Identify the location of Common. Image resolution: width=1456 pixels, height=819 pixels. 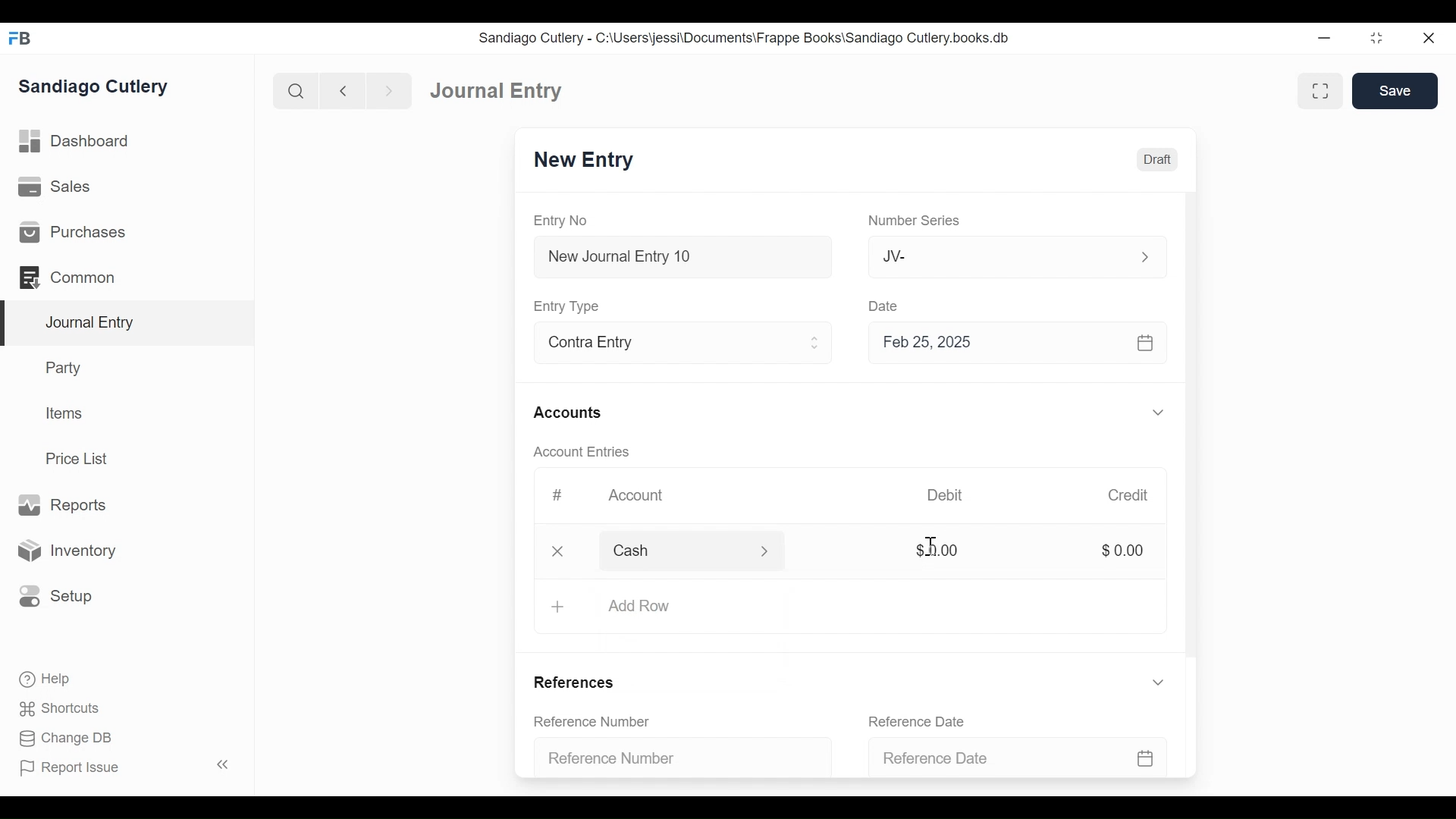
(68, 276).